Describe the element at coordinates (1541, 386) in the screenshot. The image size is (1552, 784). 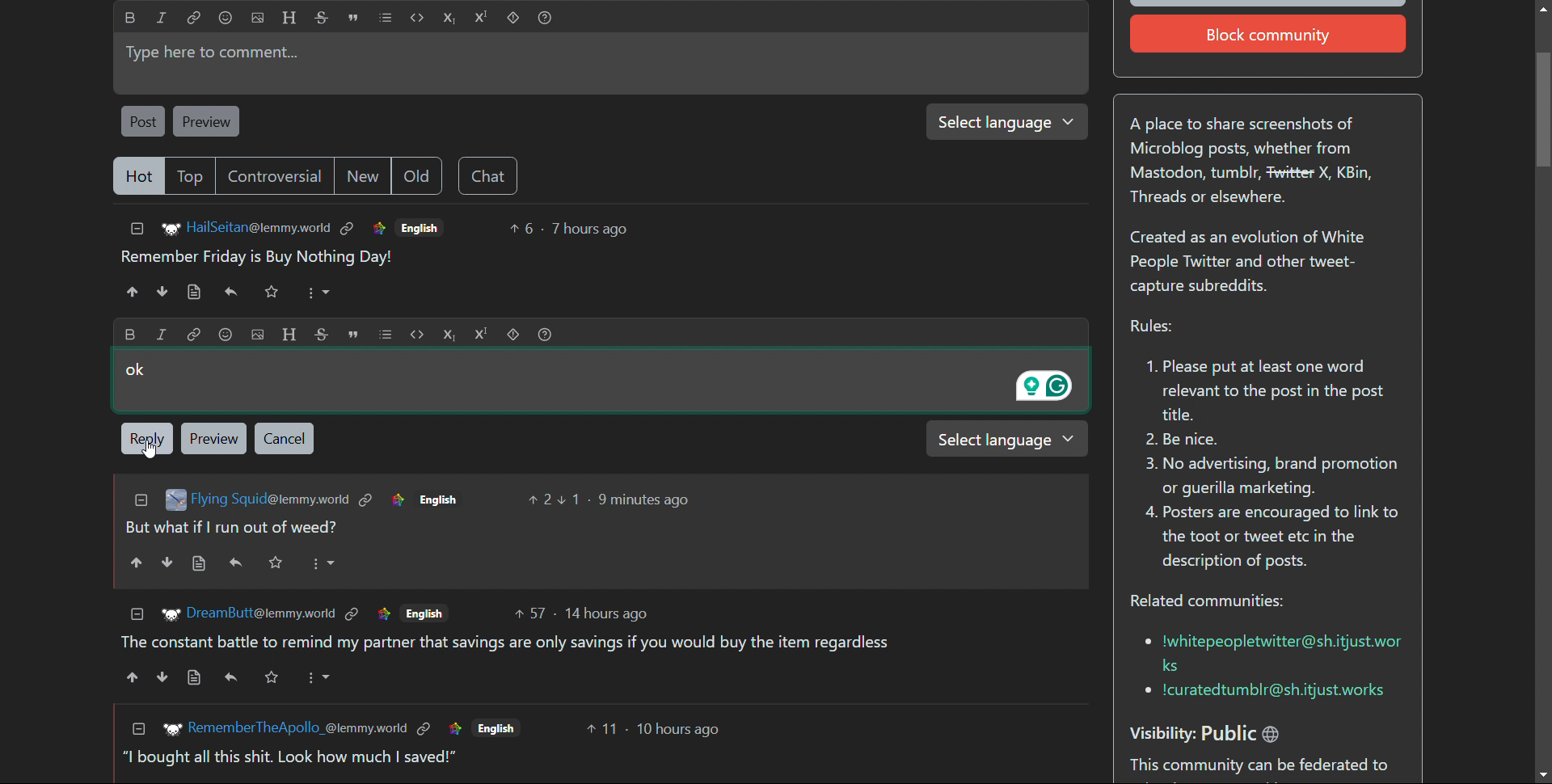
I see `scrollbar` at that location.